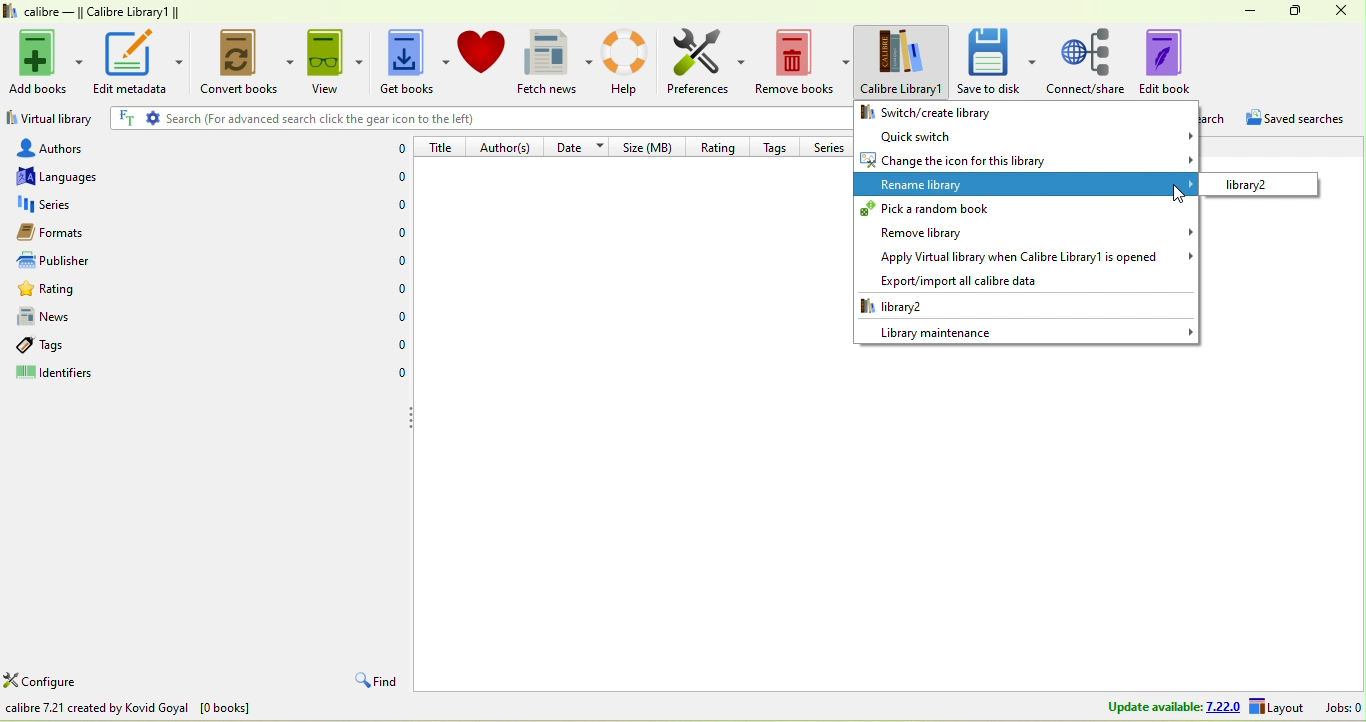 The height and width of the screenshot is (722, 1366). What do you see at coordinates (651, 146) in the screenshot?
I see `size` at bounding box center [651, 146].